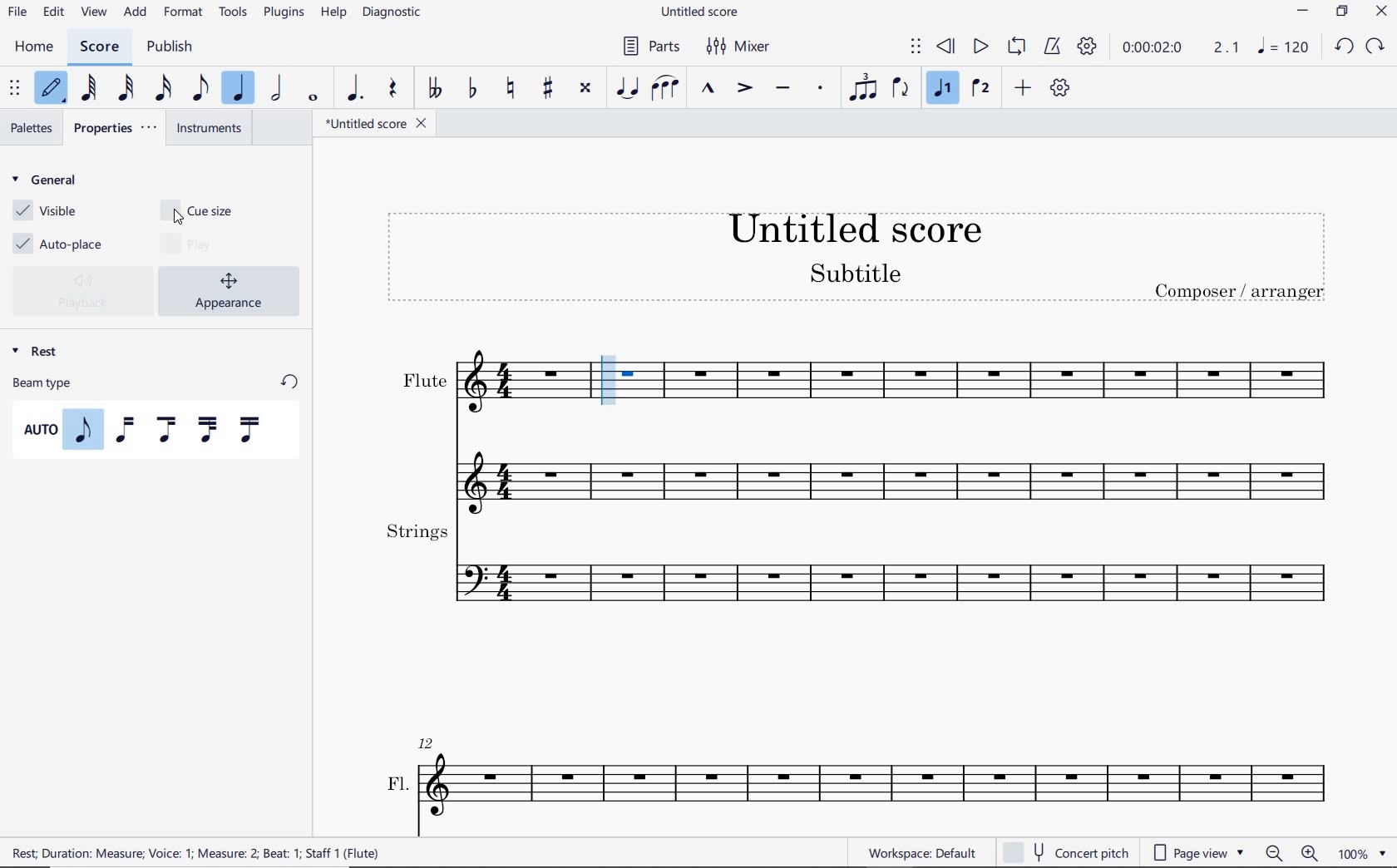 The width and height of the screenshot is (1397, 868). Describe the element at coordinates (32, 126) in the screenshot. I see `PALETTES` at that location.